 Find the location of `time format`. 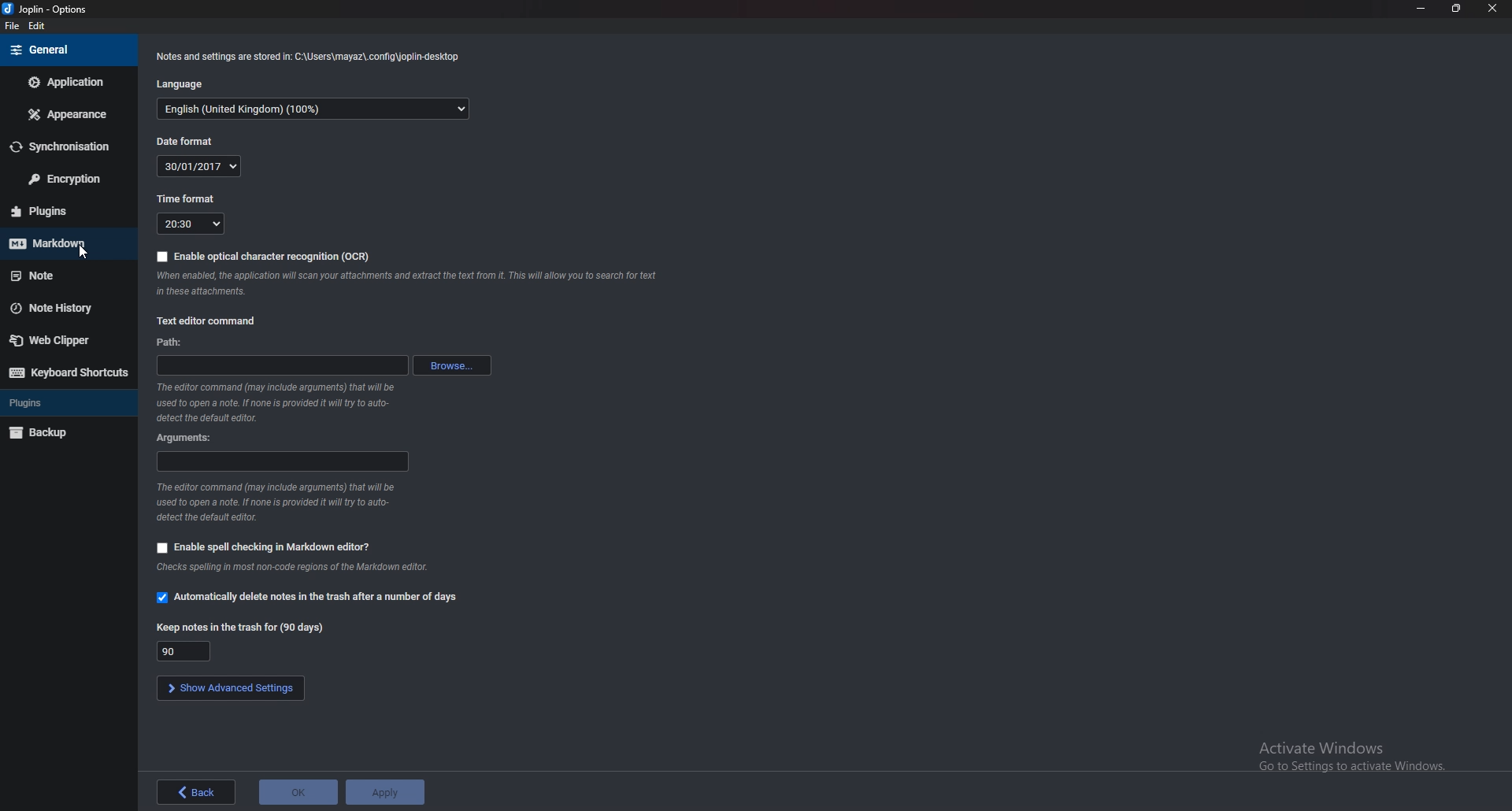

time format is located at coordinates (187, 198).